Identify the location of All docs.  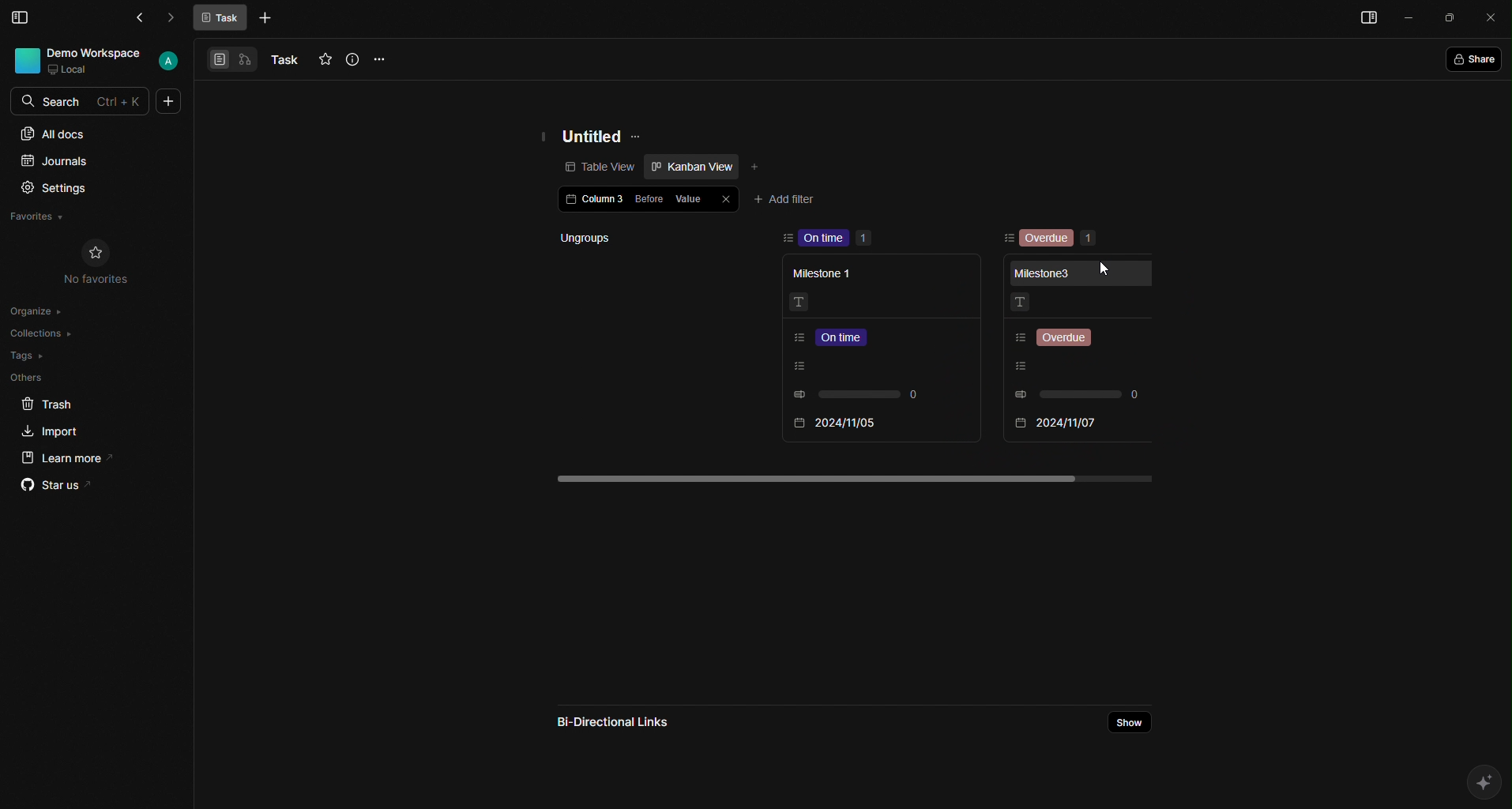
(54, 135).